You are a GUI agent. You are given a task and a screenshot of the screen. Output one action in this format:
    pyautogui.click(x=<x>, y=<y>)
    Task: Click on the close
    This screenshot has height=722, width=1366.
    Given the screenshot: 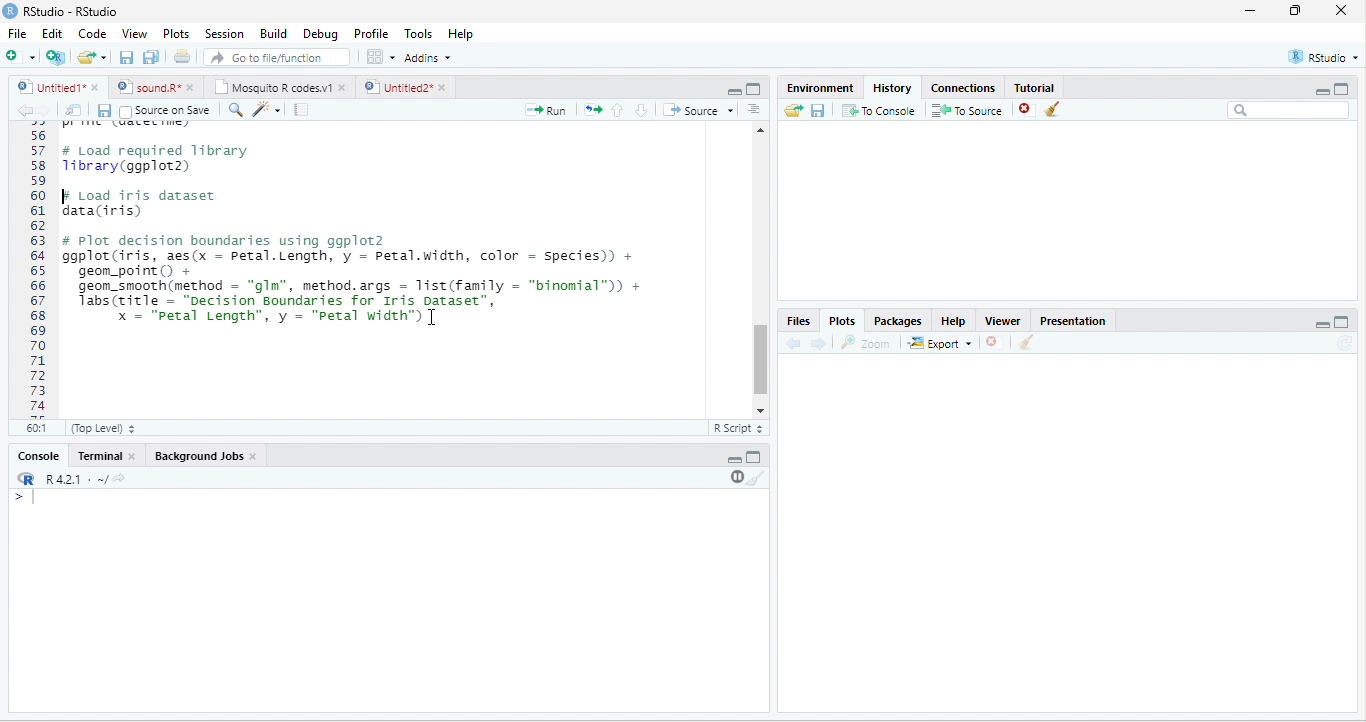 What is the action you would take?
    pyautogui.click(x=254, y=456)
    